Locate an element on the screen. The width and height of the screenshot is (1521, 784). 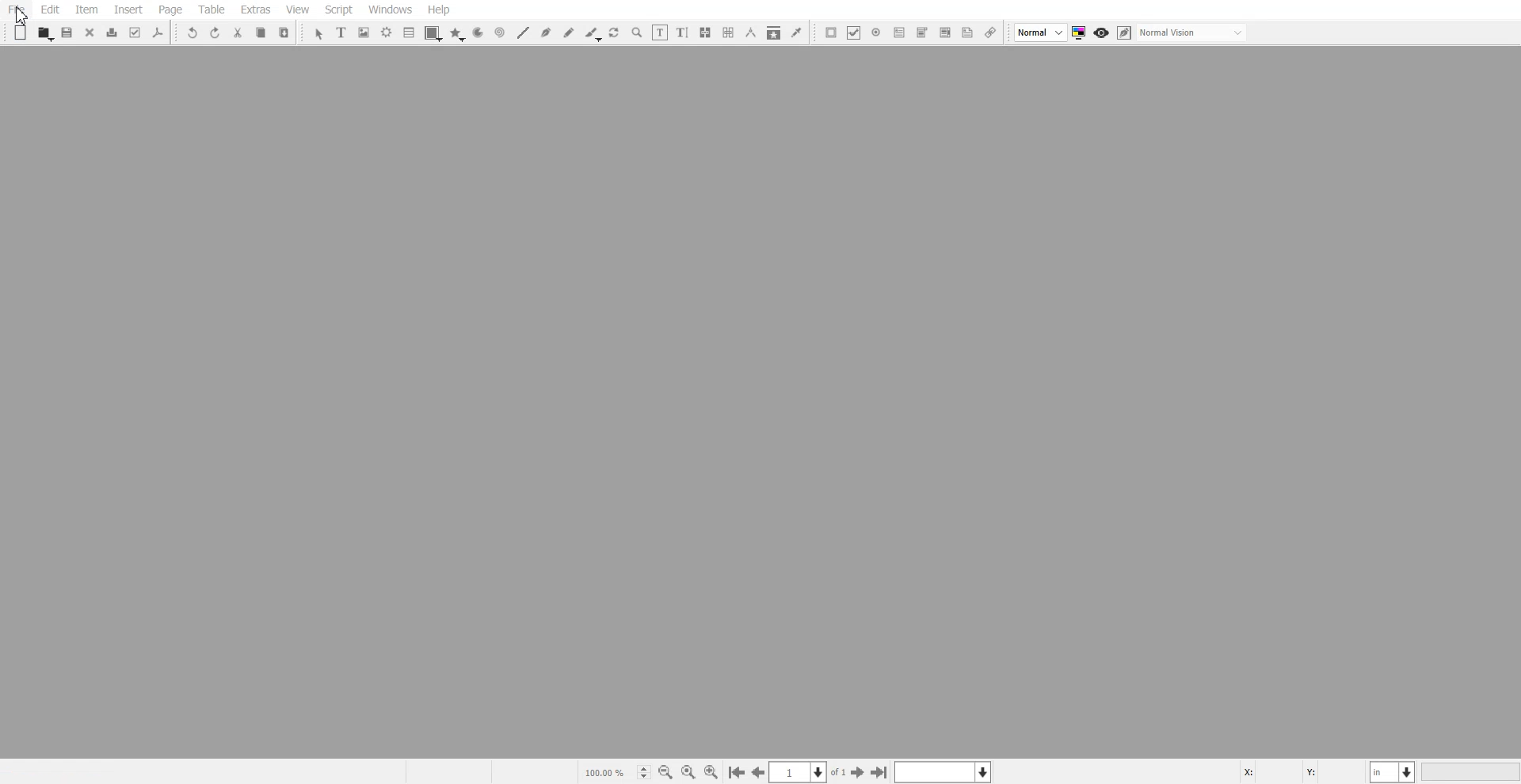
Spiral is located at coordinates (499, 32).